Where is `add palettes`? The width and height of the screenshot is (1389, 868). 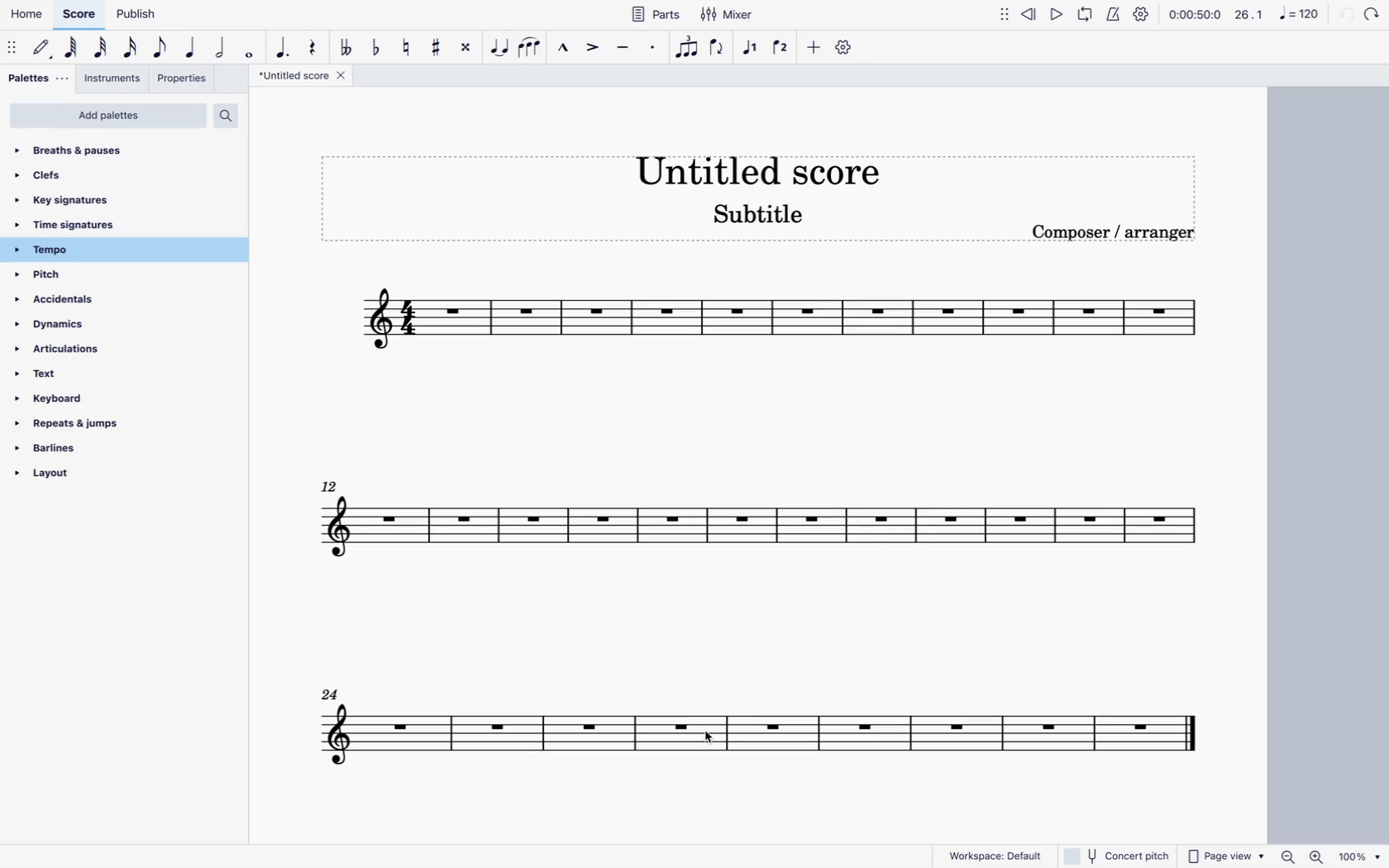
add palettes is located at coordinates (109, 117).